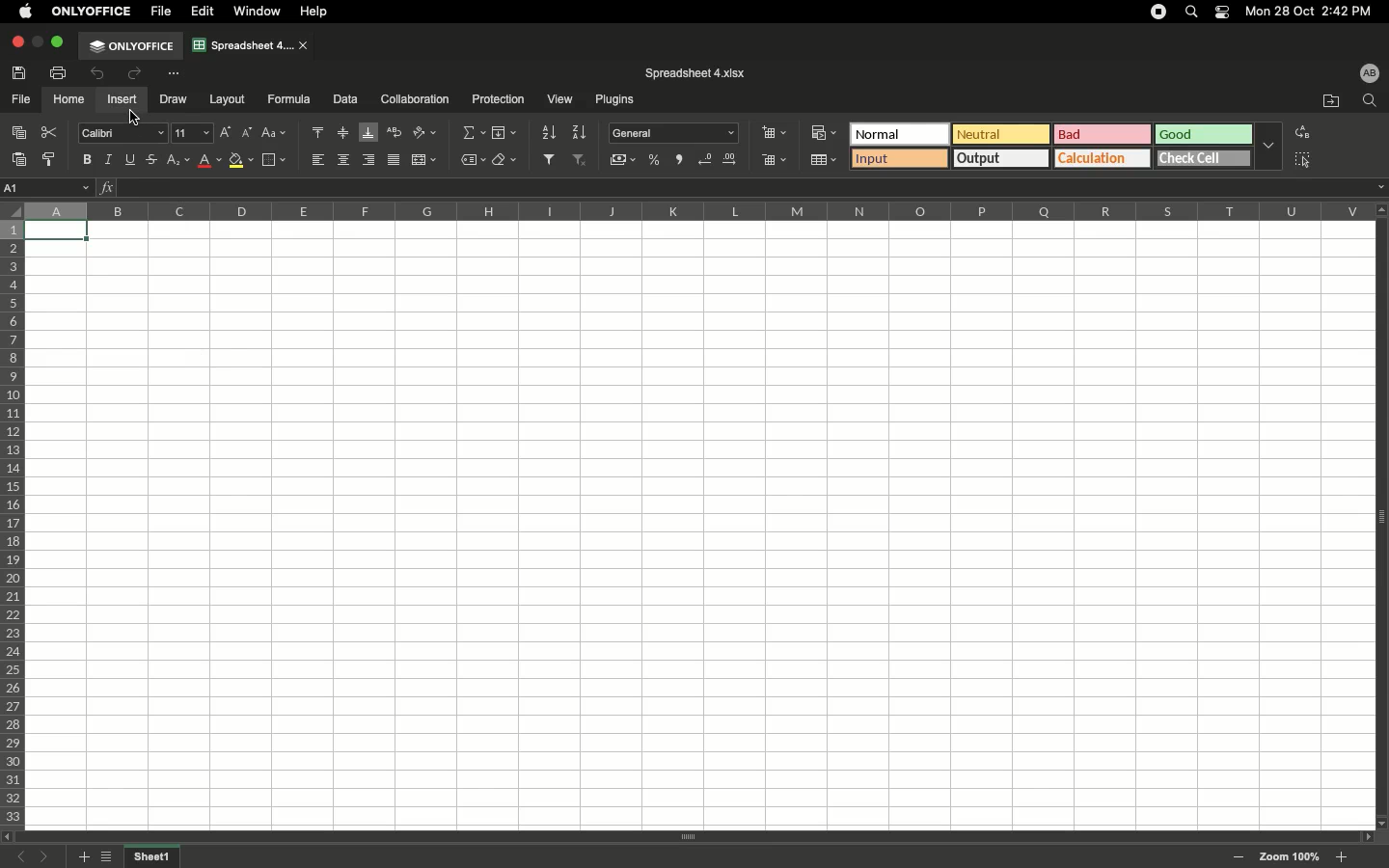 The image size is (1389, 868). Describe the element at coordinates (827, 161) in the screenshot. I see `Format as table template` at that location.